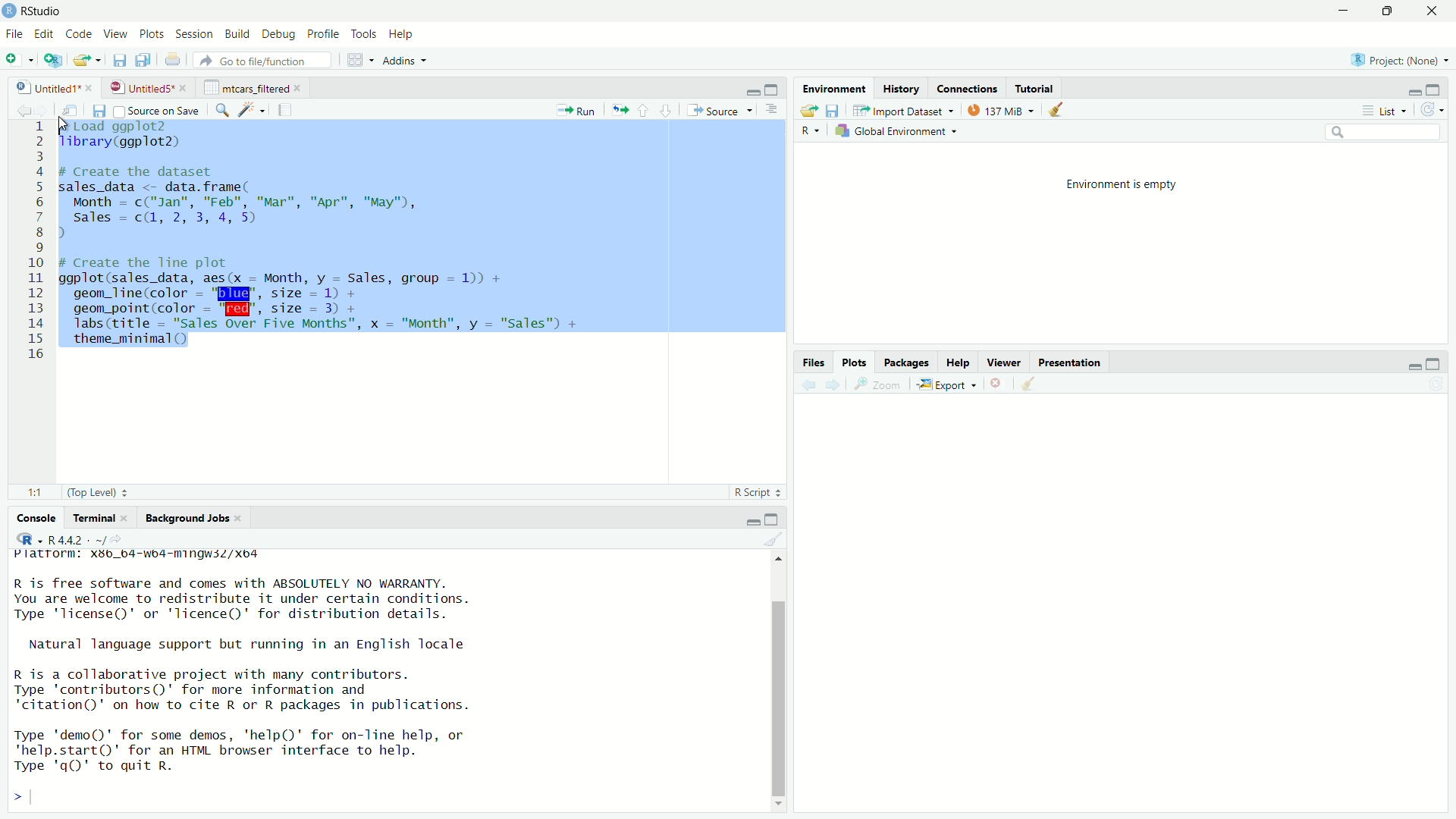 This screenshot has width=1456, height=819. What do you see at coordinates (1072, 364) in the screenshot?
I see `presentation` at bounding box center [1072, 364].